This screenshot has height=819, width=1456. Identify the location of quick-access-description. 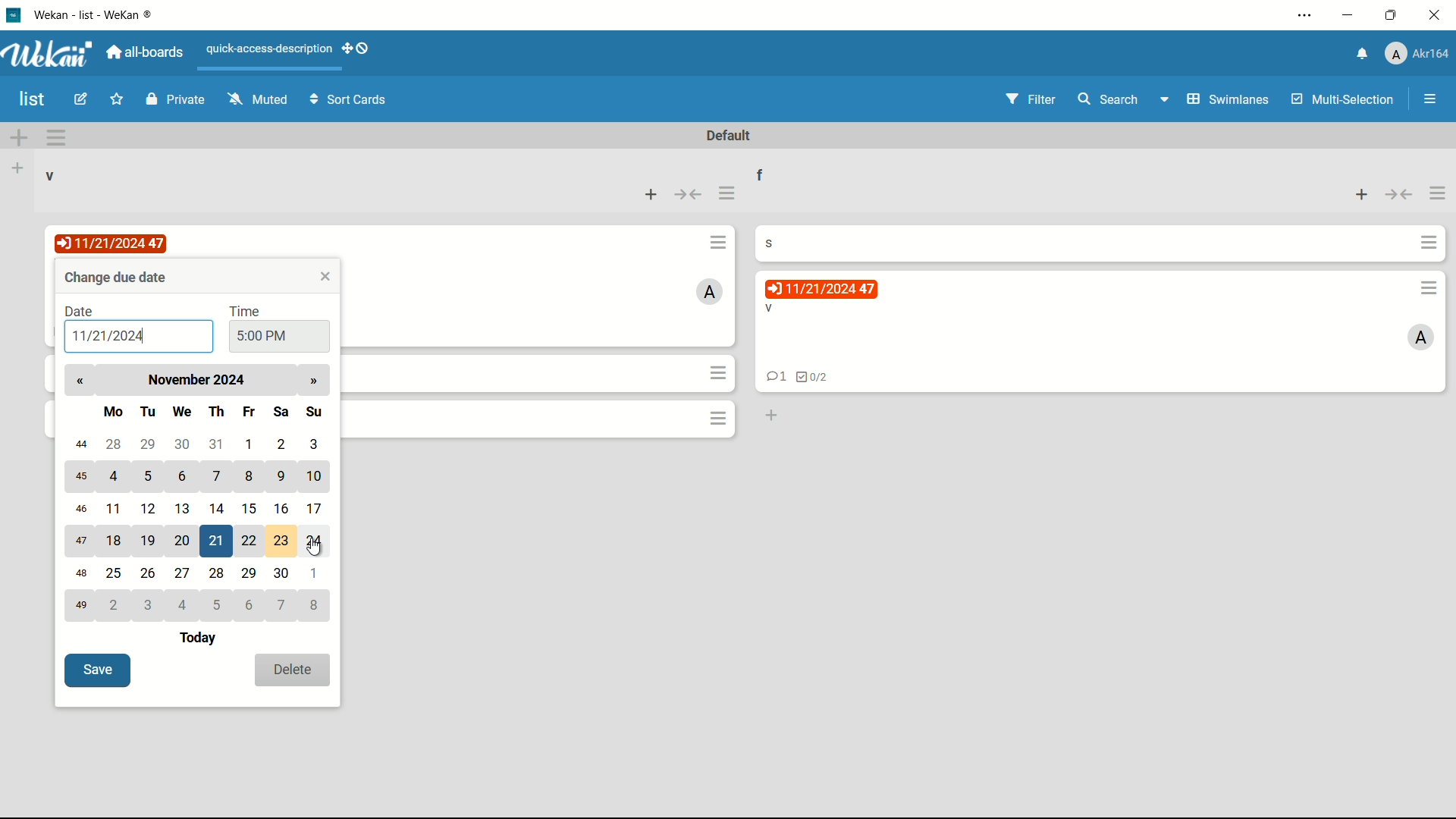
(269, 49).